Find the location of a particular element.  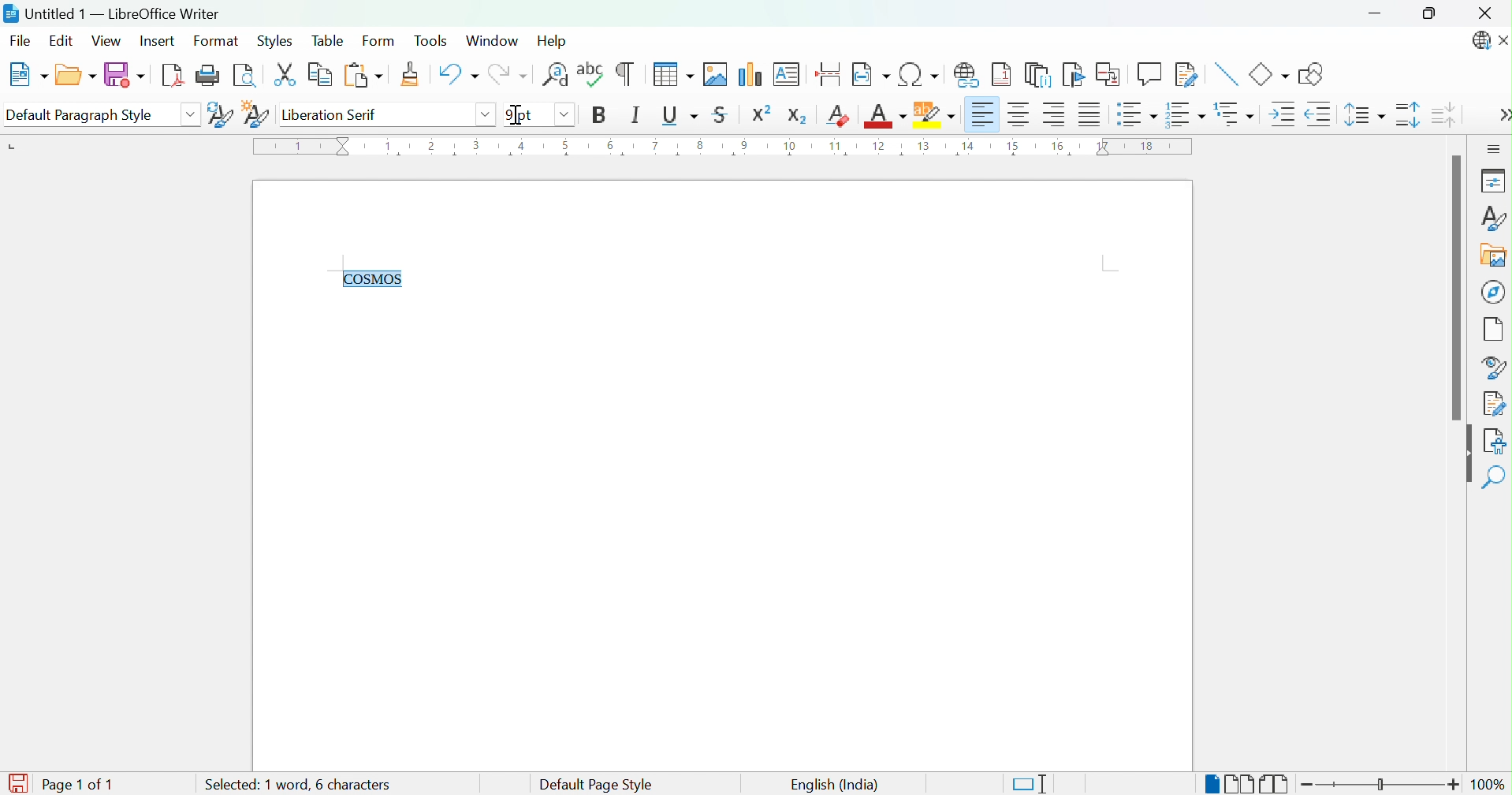

Book view is located at coordinates (1275, 785).